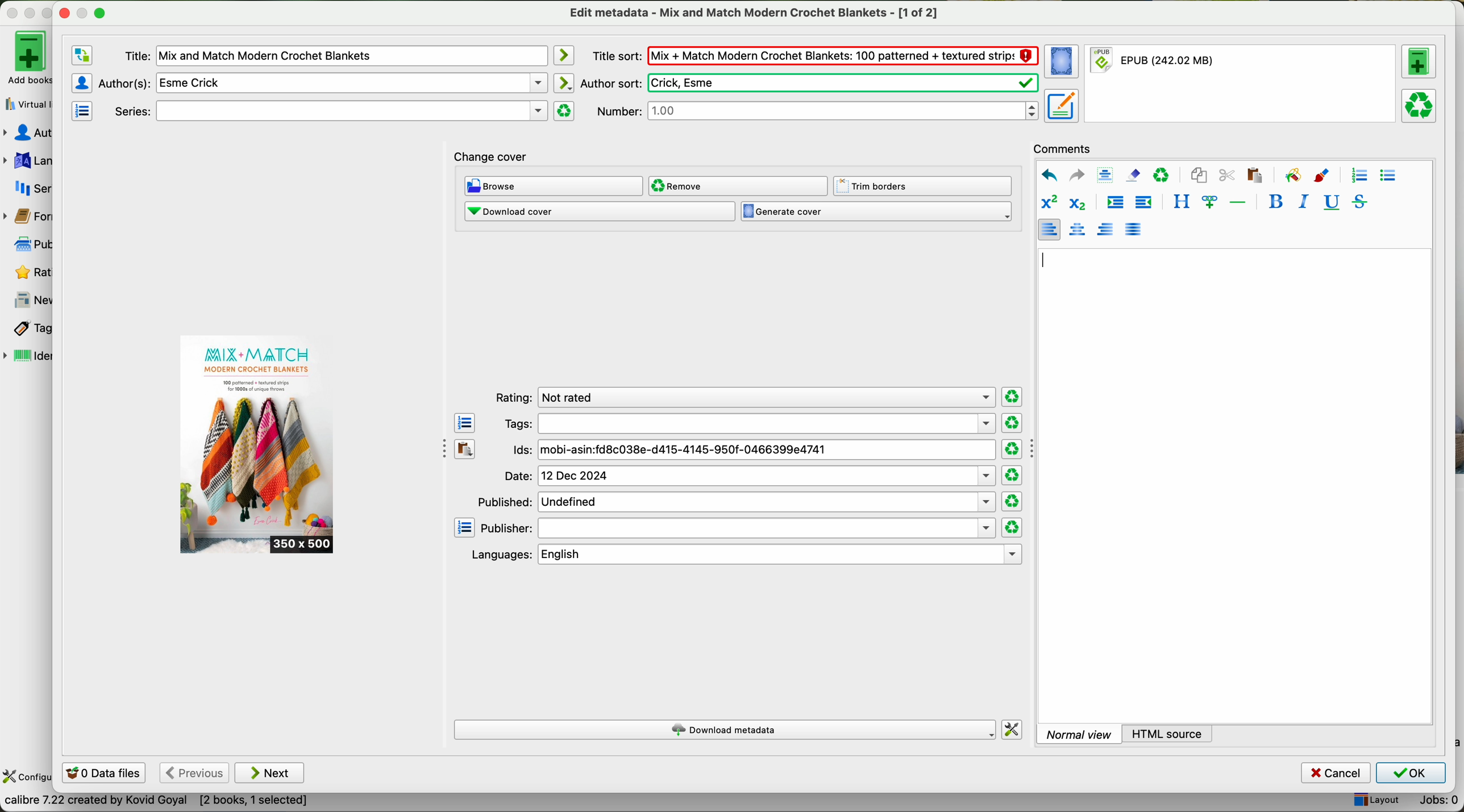 This screenshot has width=1464, height=812. Describe the element at coordinates (258, 445) in the screenshot. I see `book cover preview` at that location.